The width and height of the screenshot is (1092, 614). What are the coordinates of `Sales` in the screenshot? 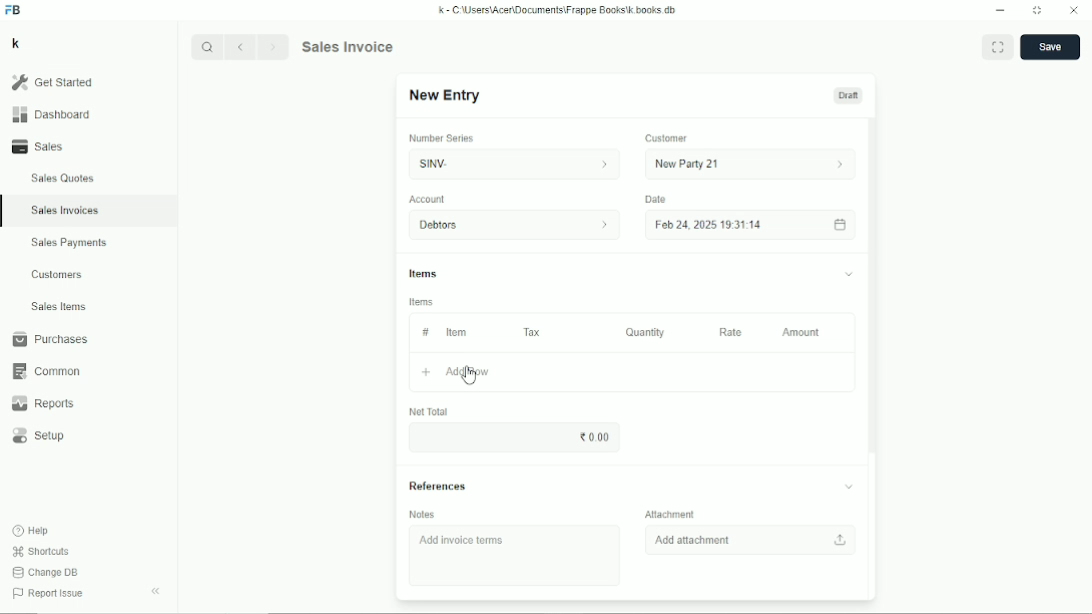 It's located at (41, 146).